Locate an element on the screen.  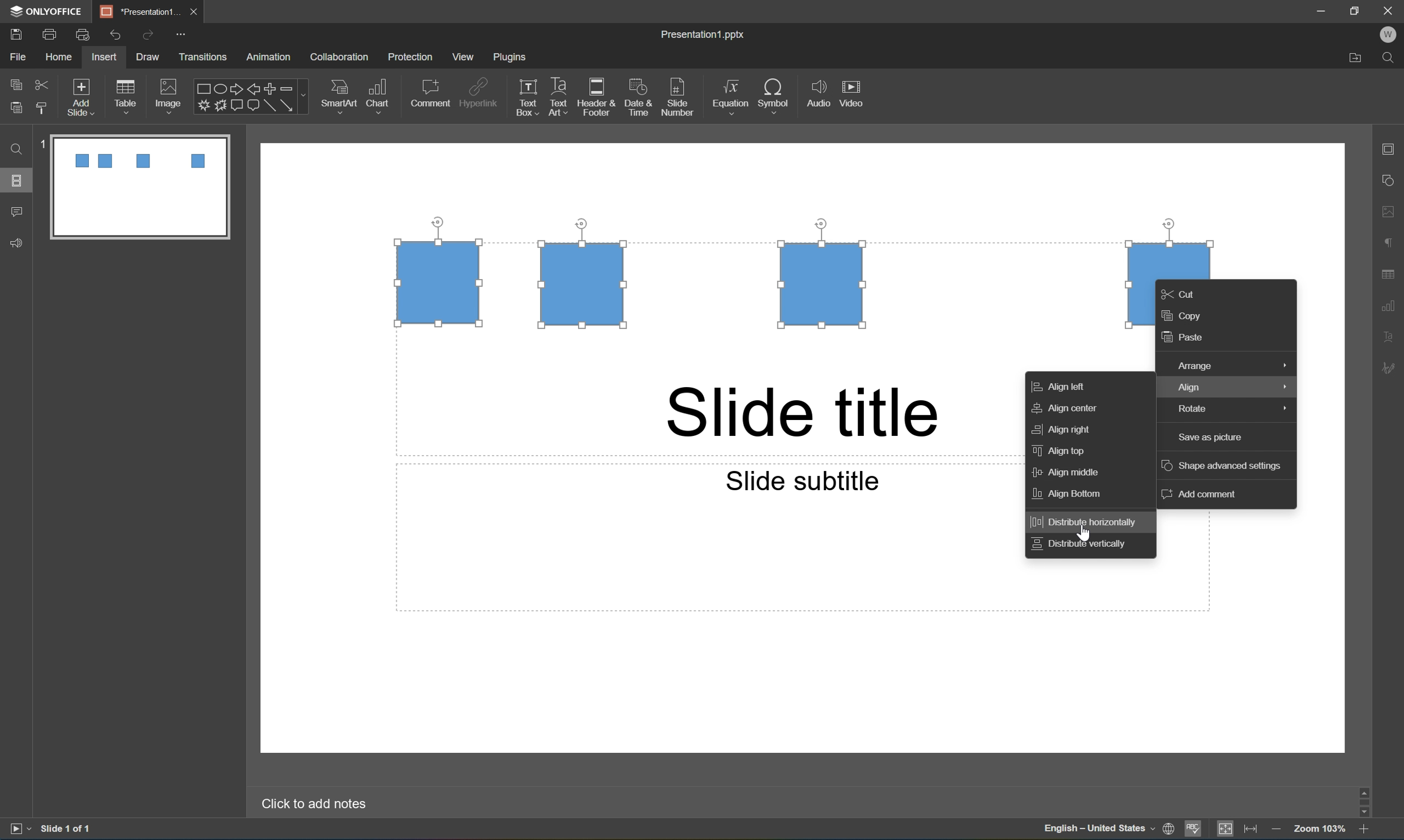
protection is located at coordinates (412, 58).